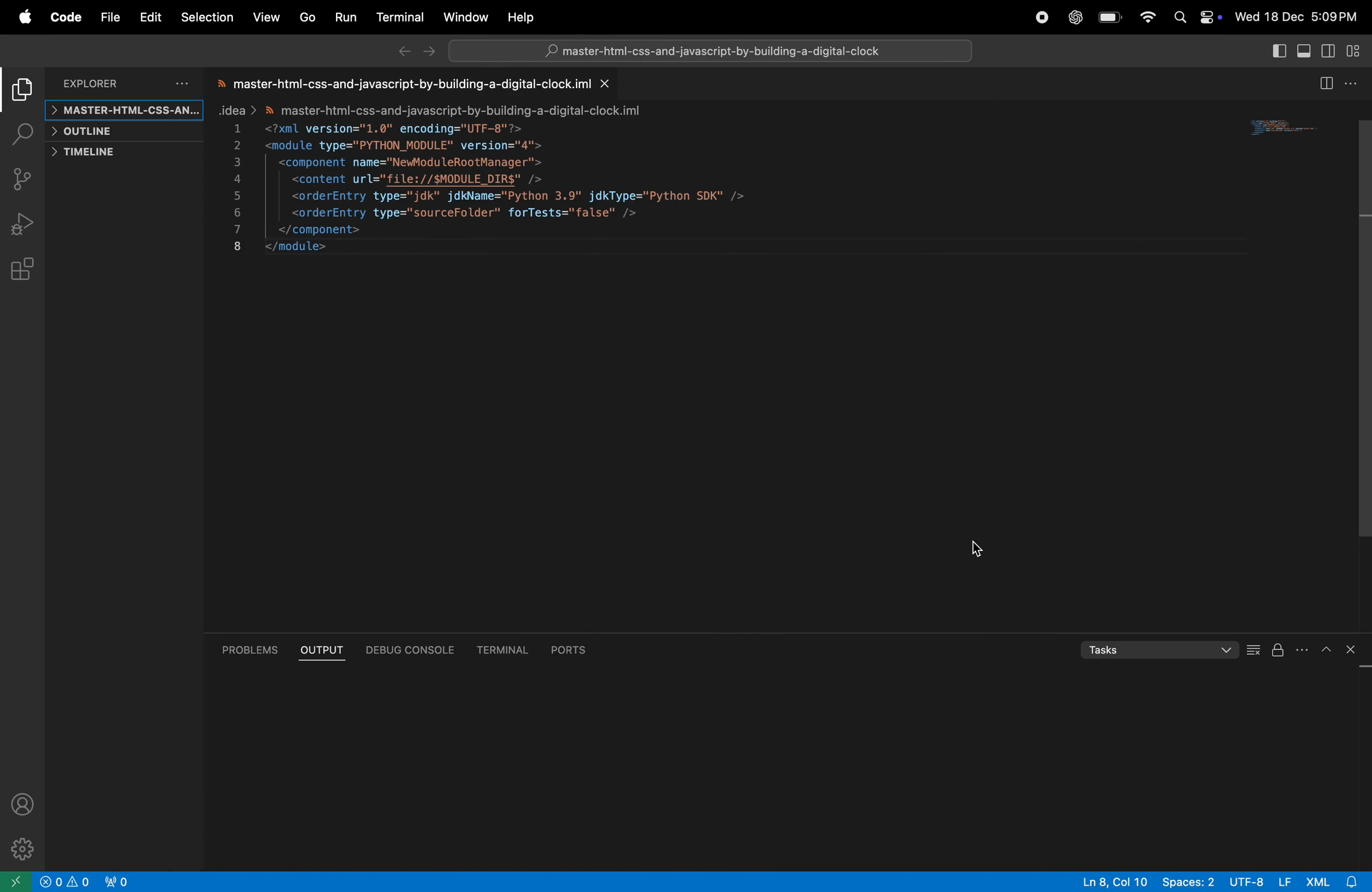 The width and height of the screenshot is (1372, 892). What do you see at coordinates (1306, 51) in the screenshot?
I see `toggle panel` at bounding box center [1306, 51].